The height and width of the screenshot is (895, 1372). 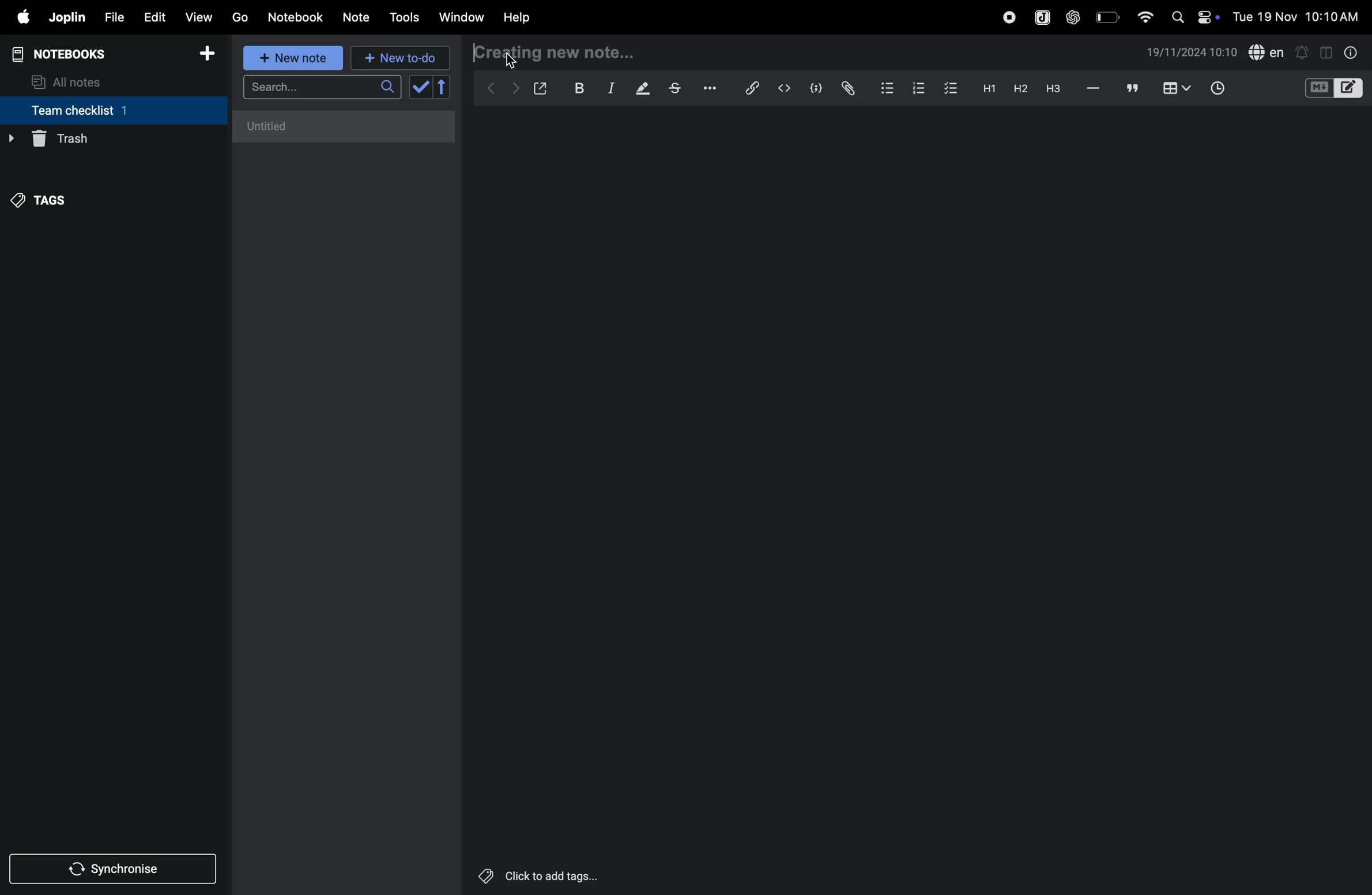 What do you see at coordinates (816, 87) in the screenshot?
I see `code block` at bounding box center [816, 87].